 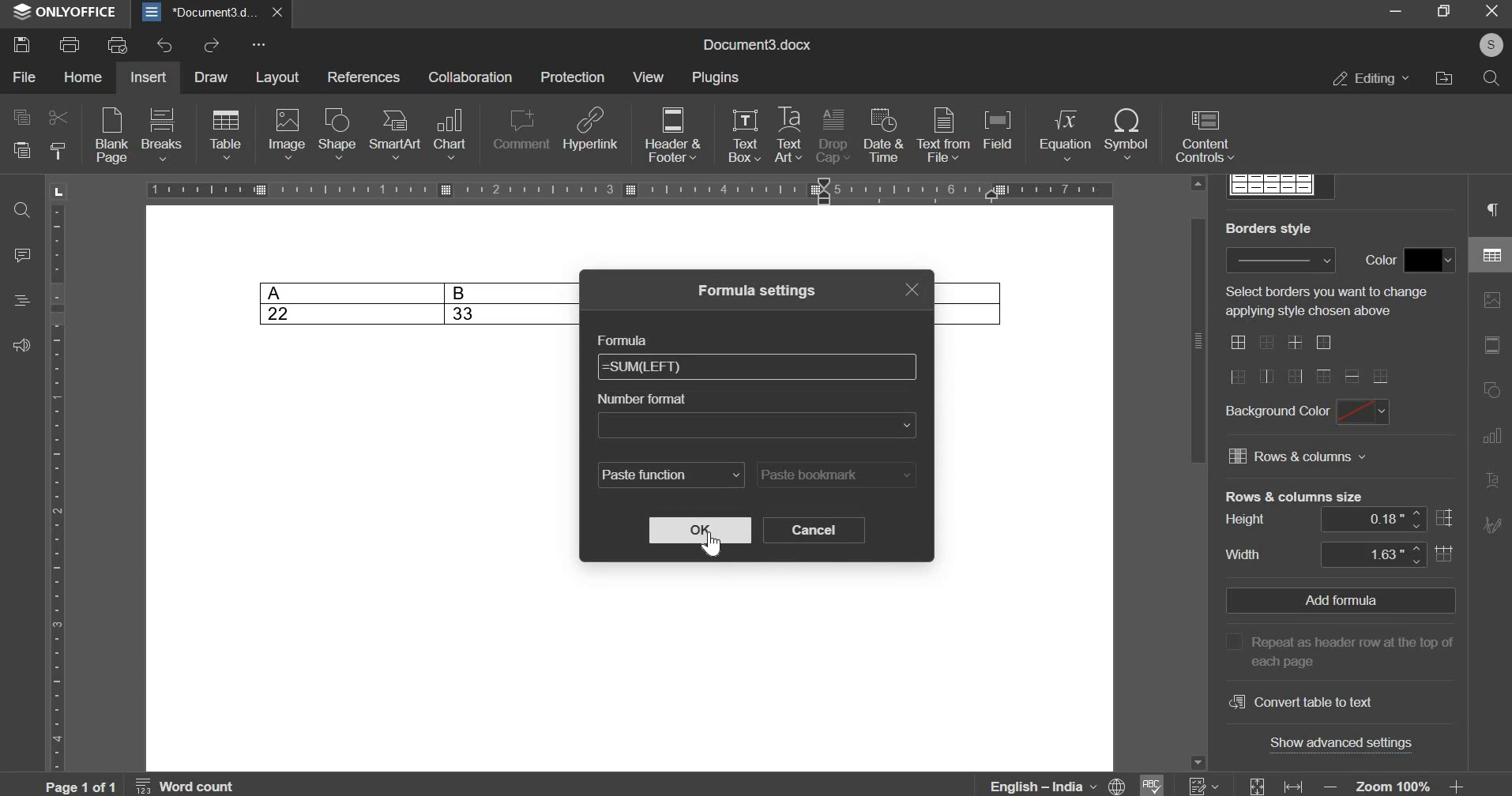 I want to click on vertical scrollbar, so click(x=1461, y=539).